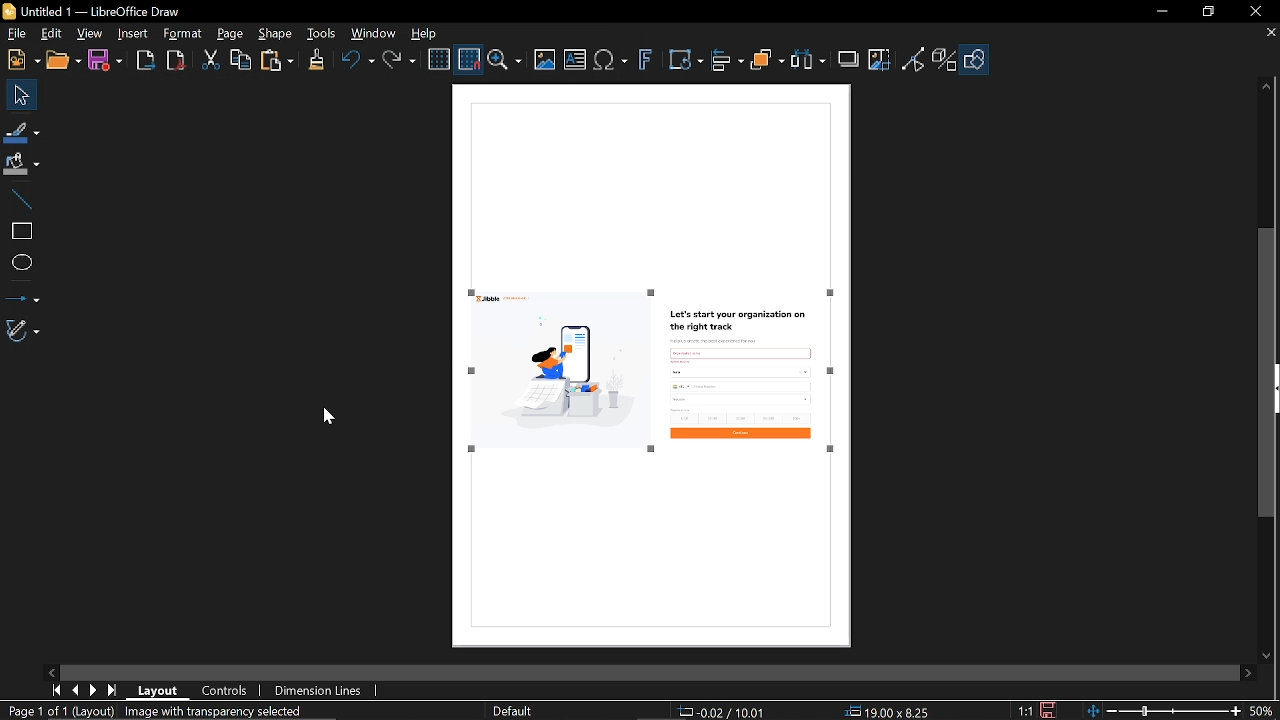 This screenshot has width=1280, height=720. What do you see at coordinates (611, 63) in the screenshot?
I see `insert equation` at bounding box center [611, 63].